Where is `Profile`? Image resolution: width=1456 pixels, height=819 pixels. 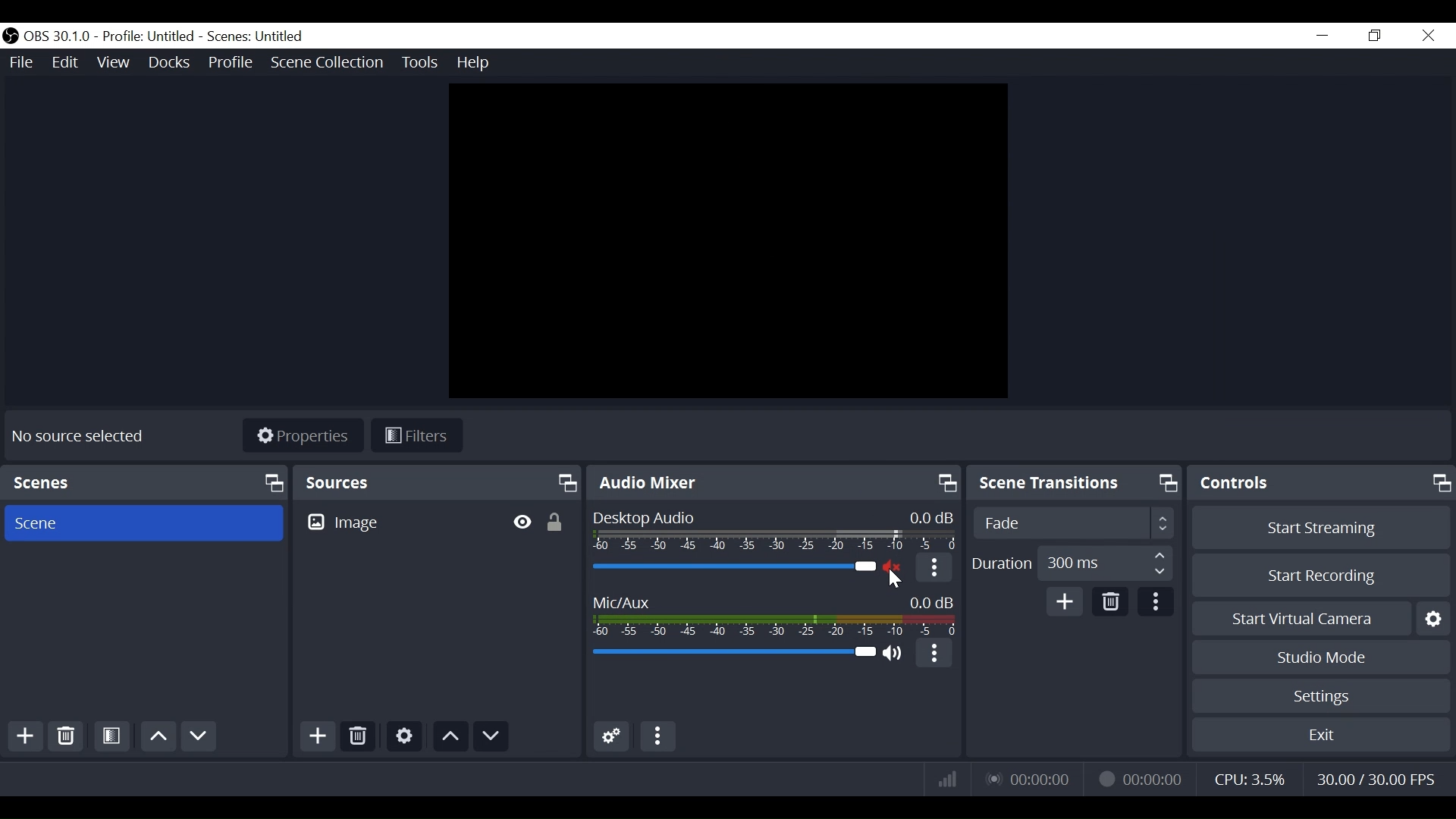 Profile is located at coordinates (231, 64).